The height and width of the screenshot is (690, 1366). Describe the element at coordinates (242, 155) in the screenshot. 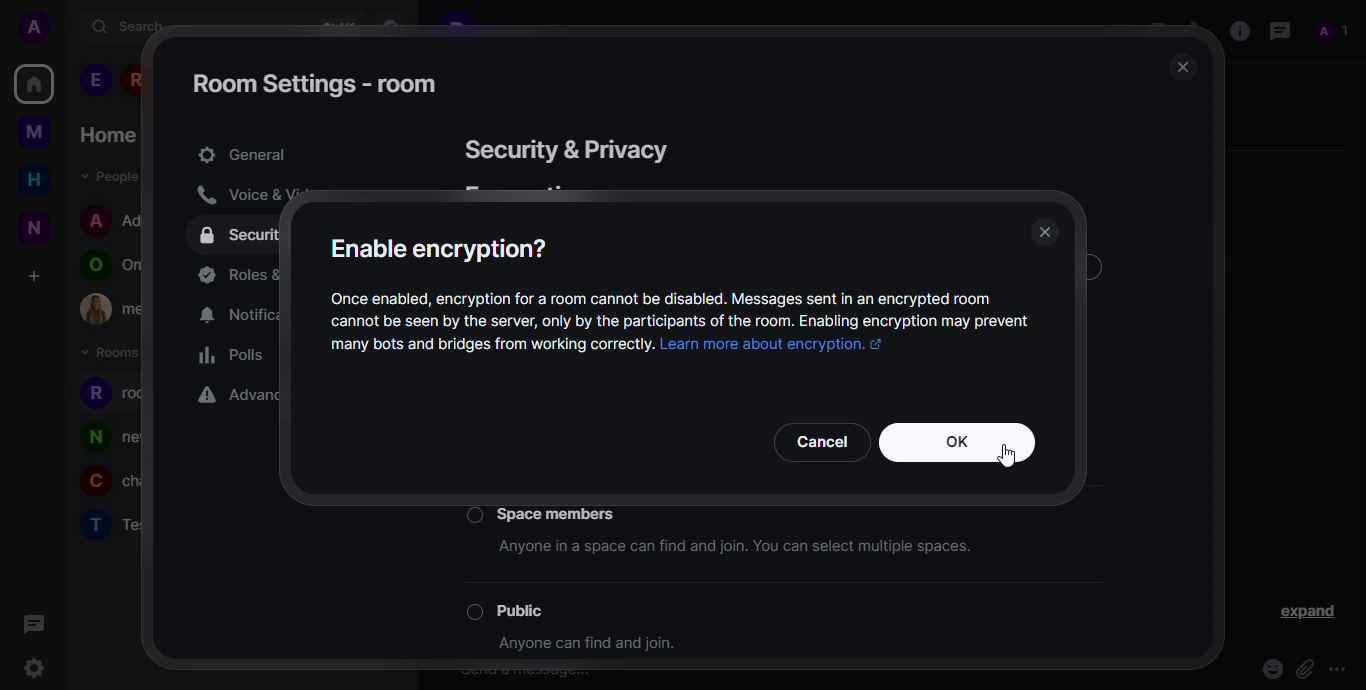

I see `general` at that location.